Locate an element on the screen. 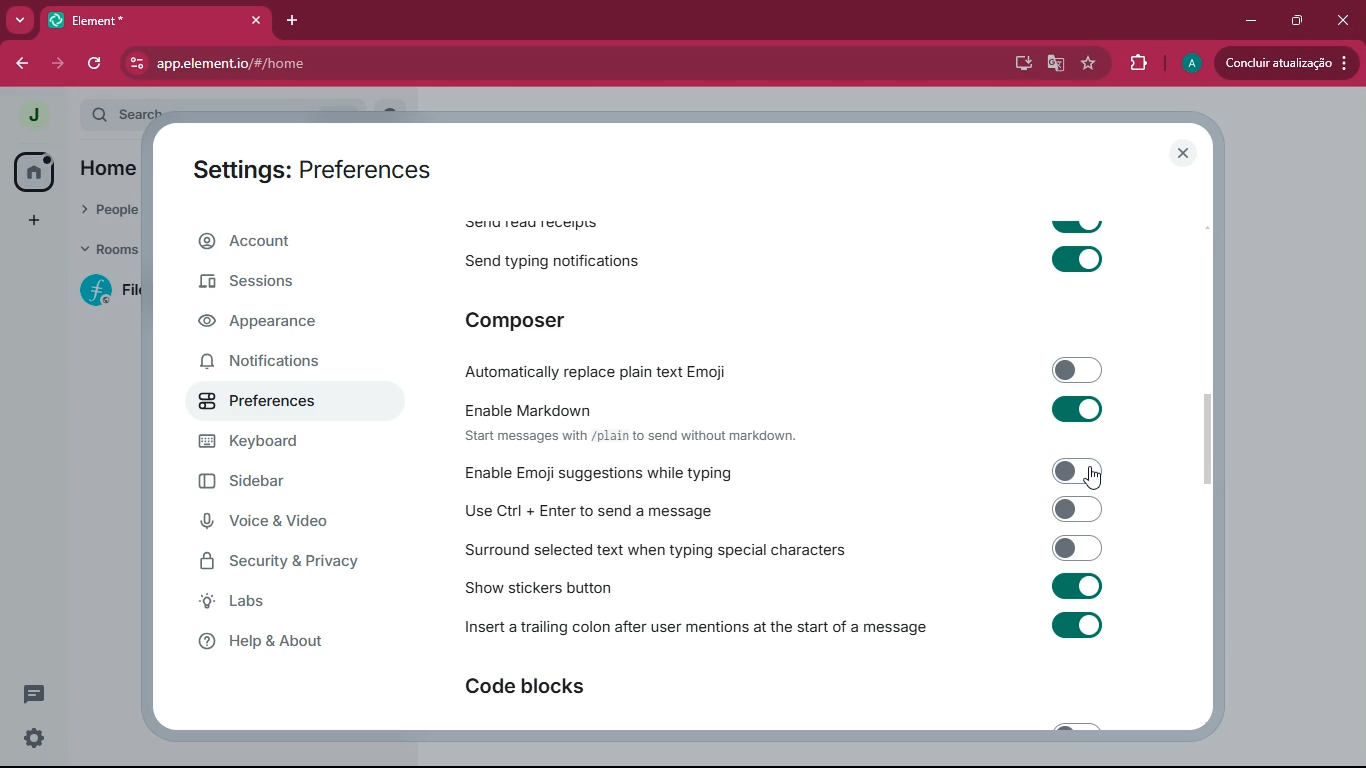 Image resolution: width=1366 pixels, height=768 pixels. notifications is located at coordinates (277, 359).